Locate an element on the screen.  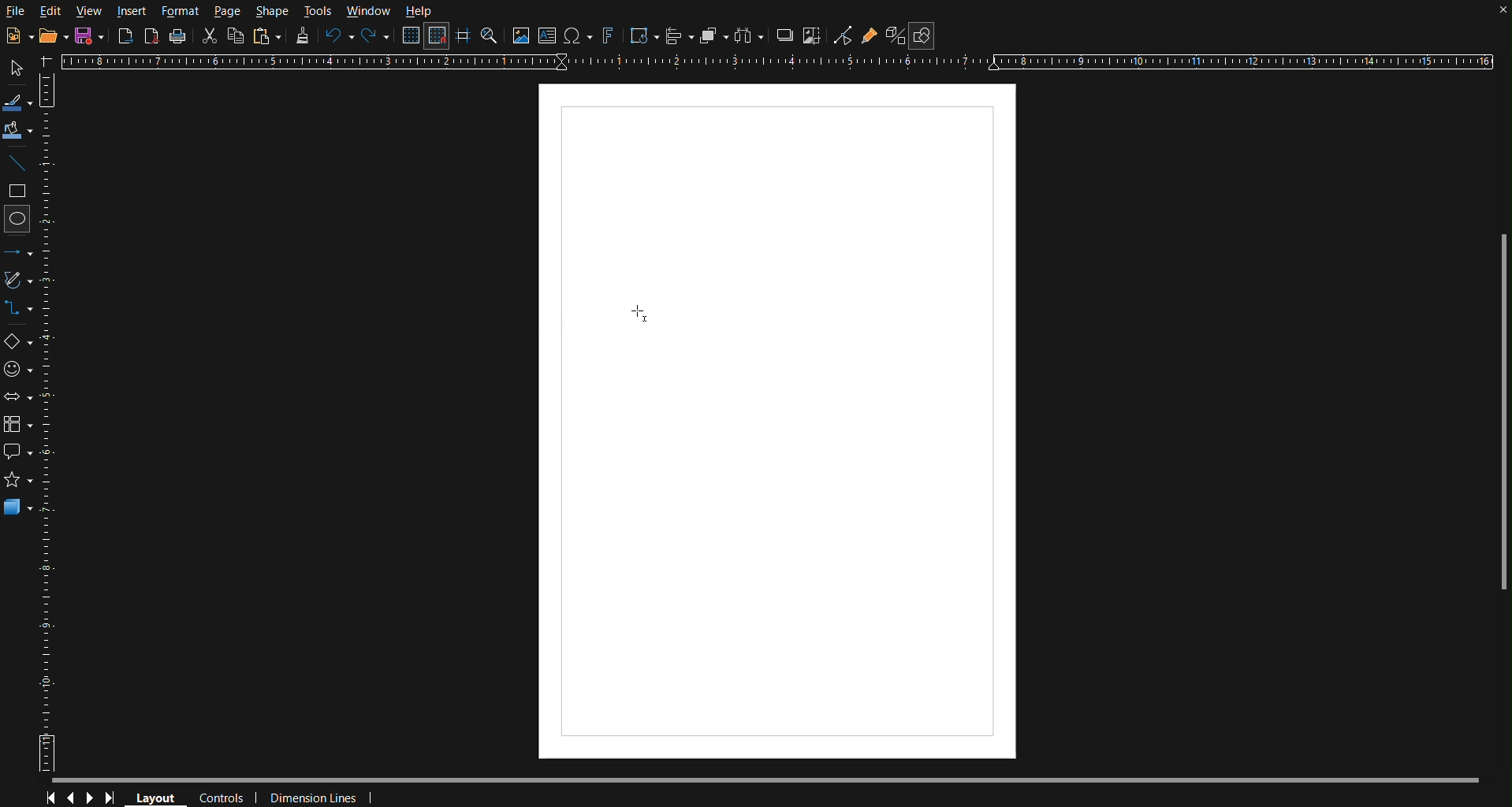
Connectors is located at coordinates (20, 308).